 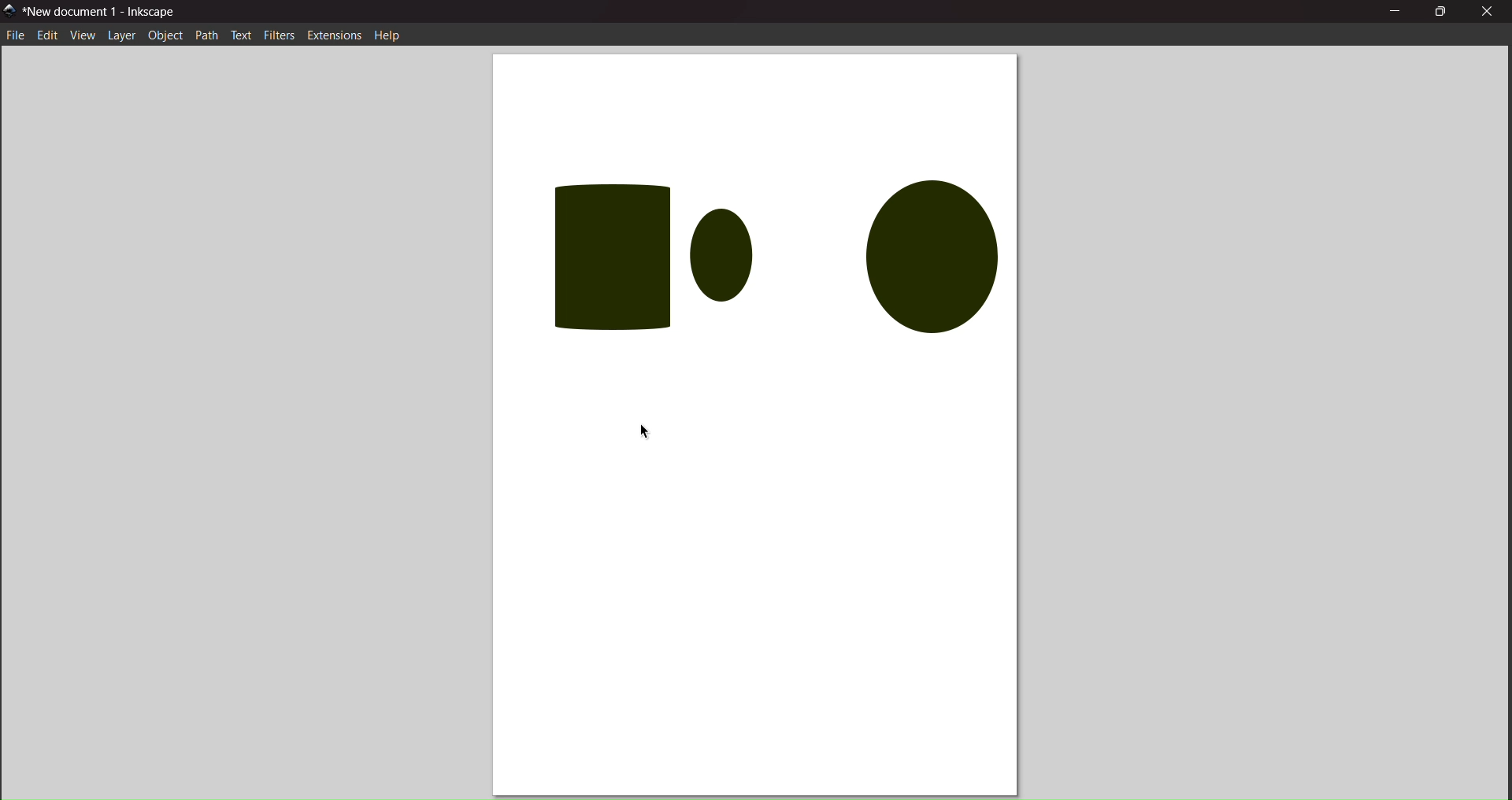 What do you see at coordinates (387, 36) in the screenshot?
I see `help` at bounding box center [387, 36].